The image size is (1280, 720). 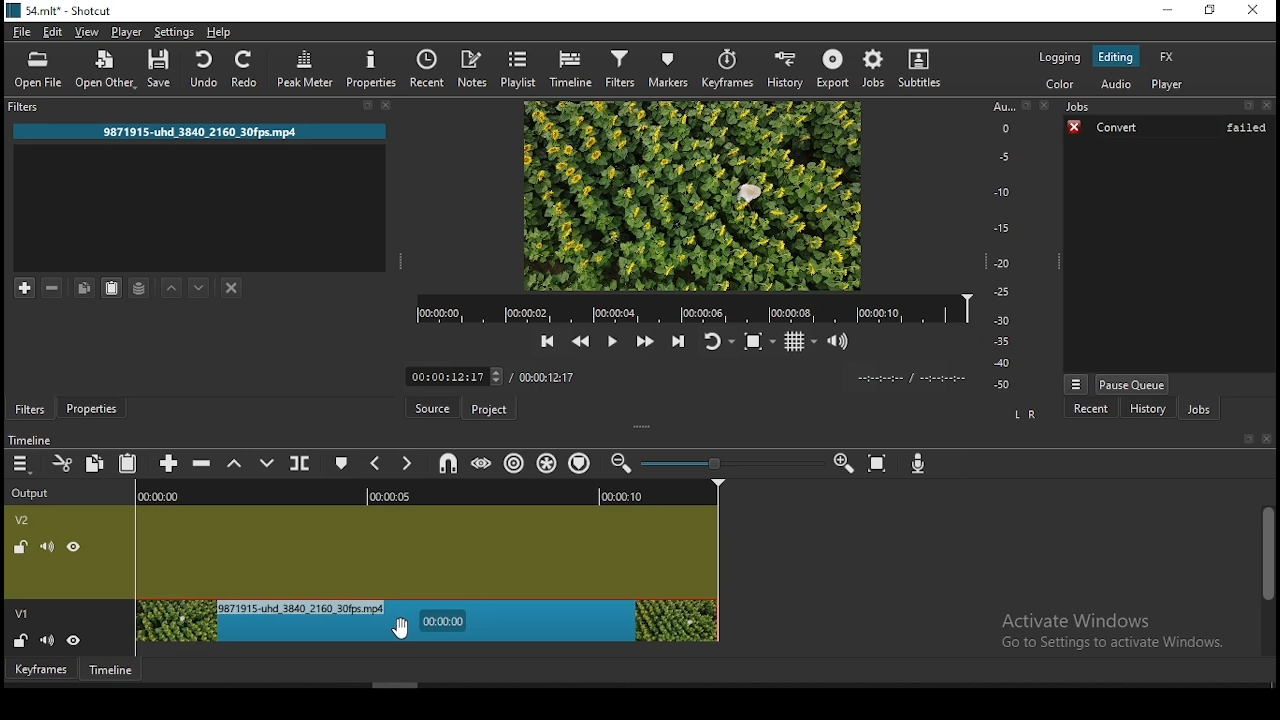 I want to click on view/hide, so click(x=75, y=639).